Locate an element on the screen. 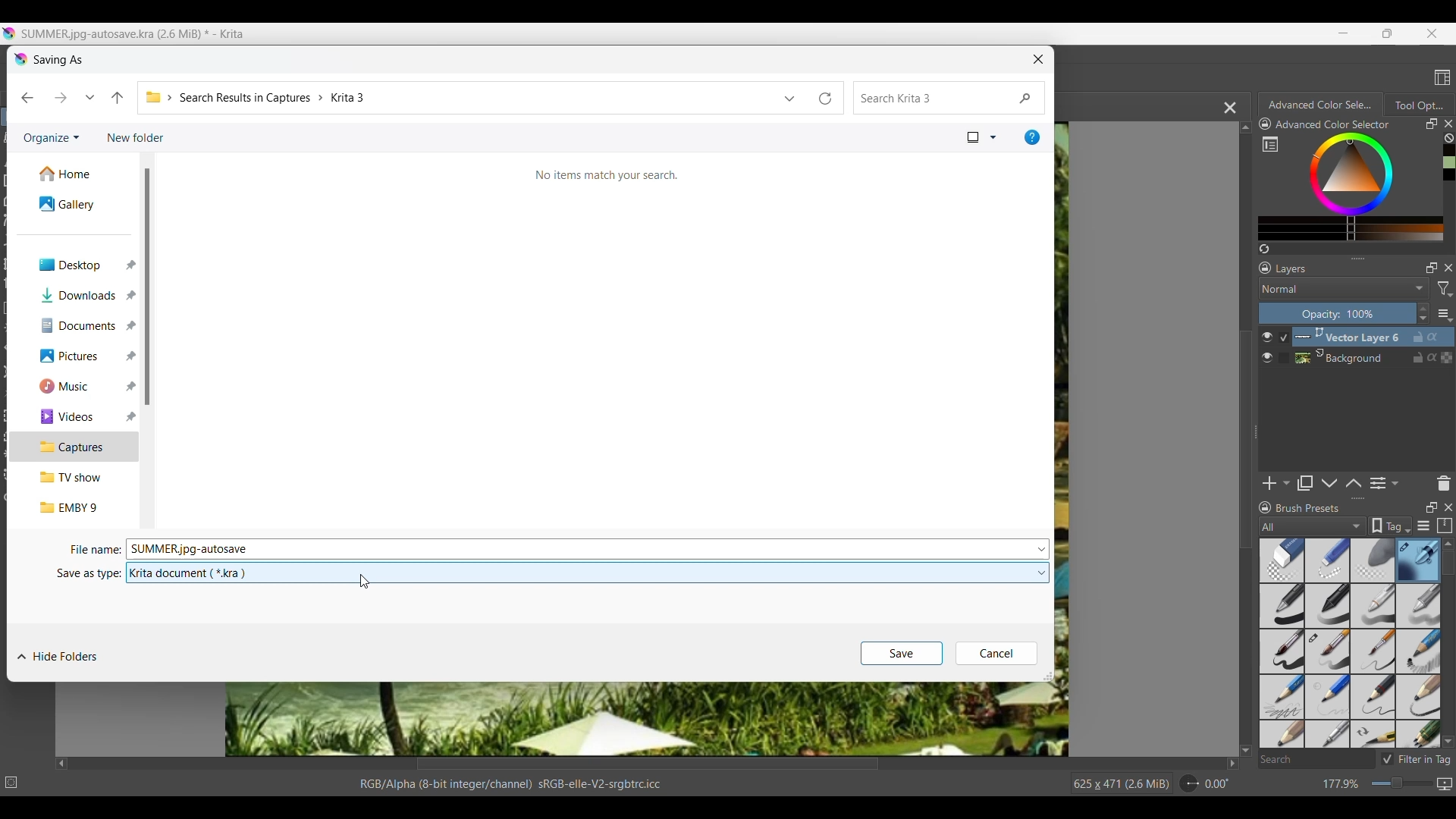 The height and width of the screenshot is (819, 1456). Float Layers panel is located at coordinates (1432, 268).